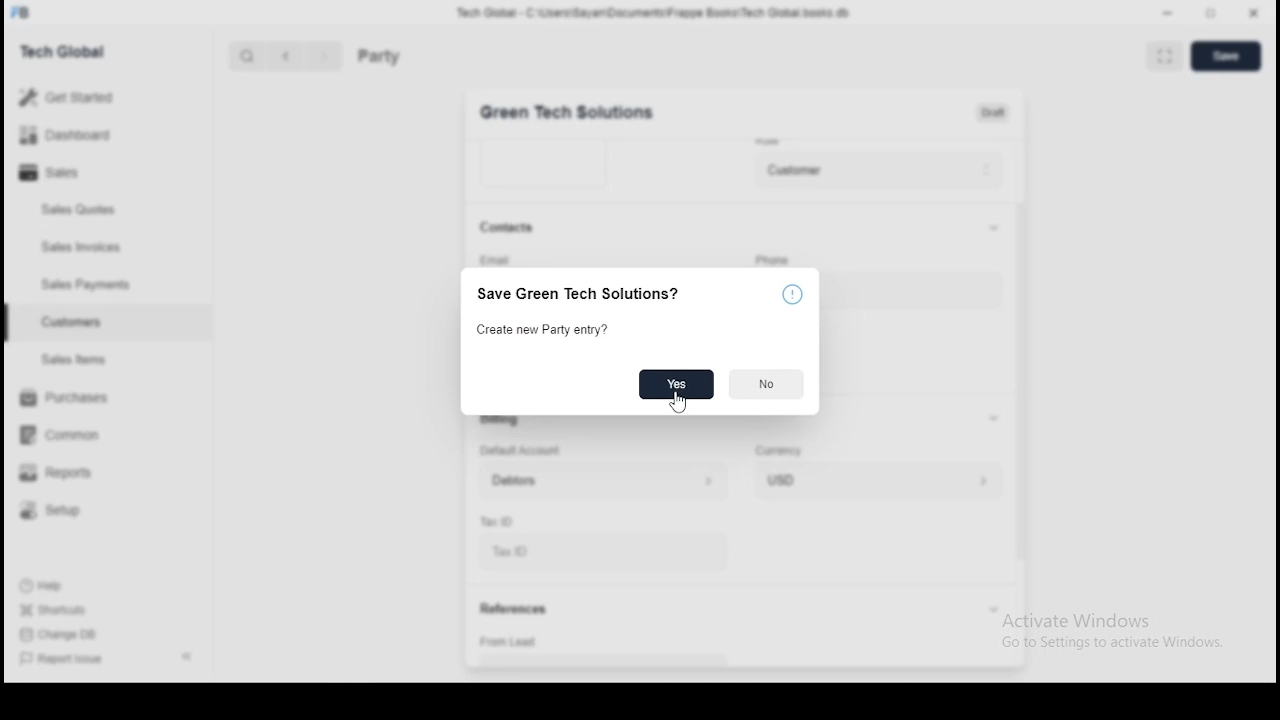 This screenshot has height=720, width=1280. What do you see at coordinates (587, 294) in the screenshot?
I see `save green tech solutions` at bounding box center [587, 294].